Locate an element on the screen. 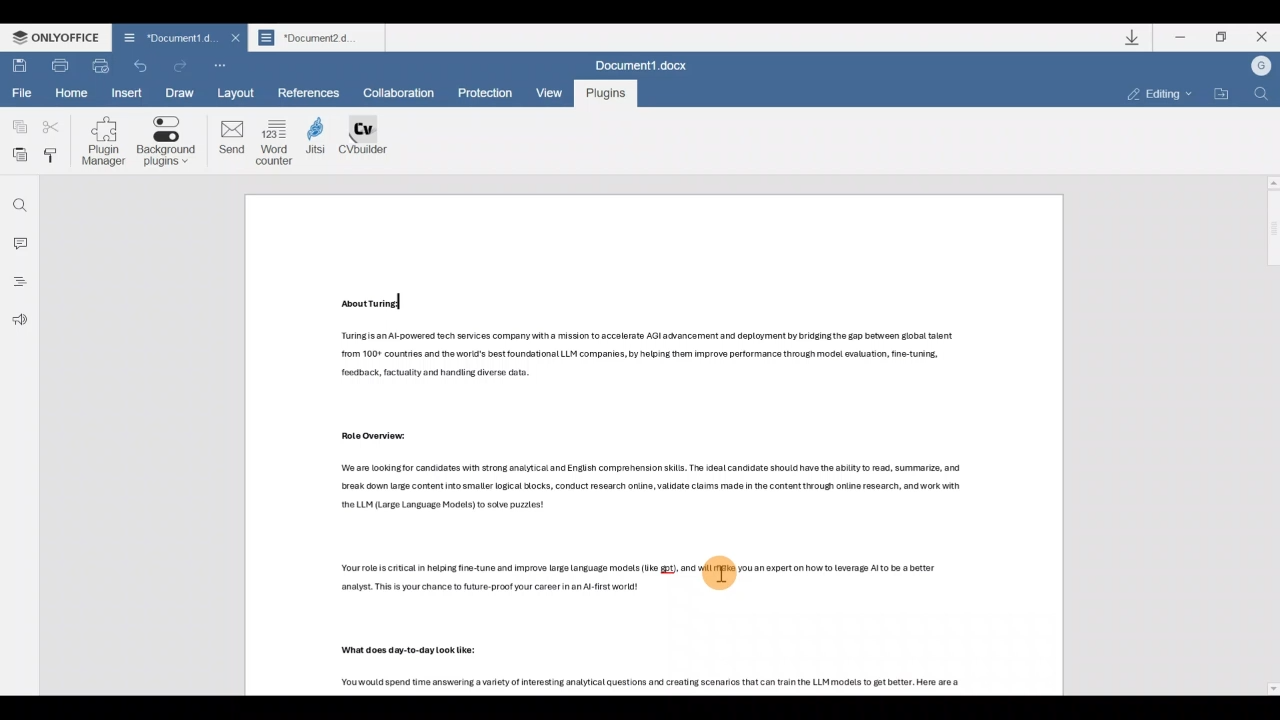 Image resolution: width=1280 pixels, height=720 pixels. CV builder is located at coordinates (364, 139).